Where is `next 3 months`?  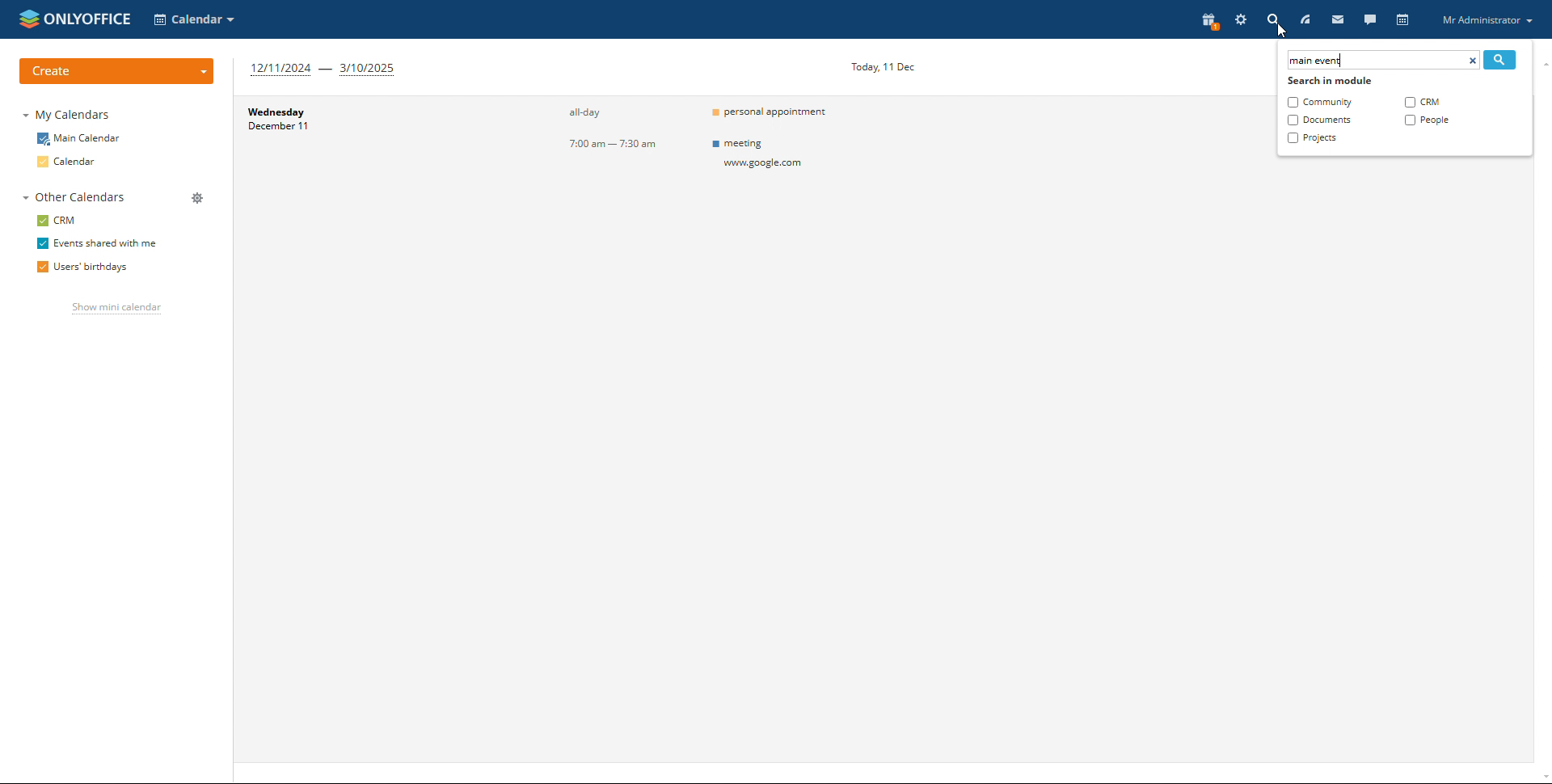
next 3 months is located at coordinates (324, 70).